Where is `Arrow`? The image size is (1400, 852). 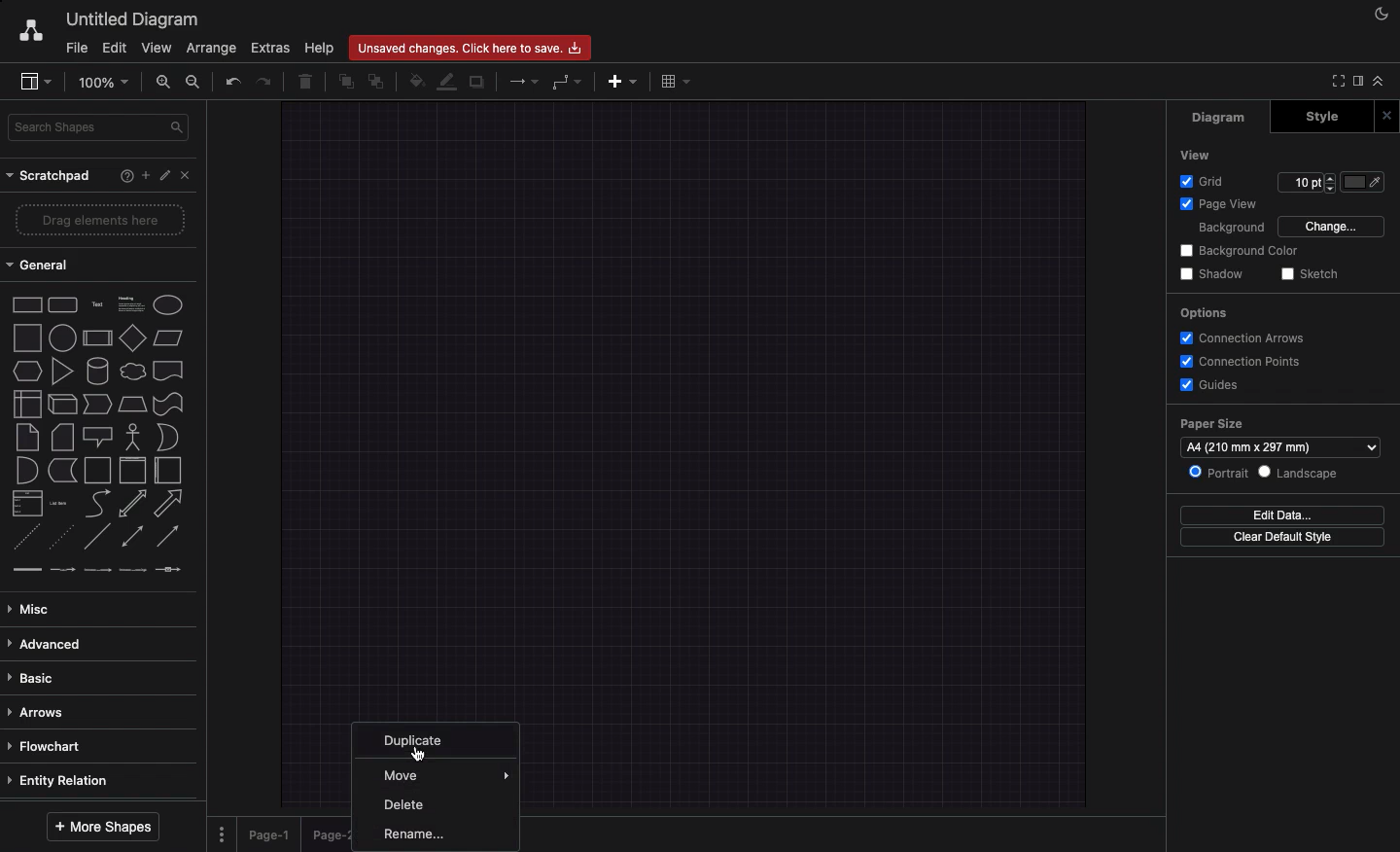 Arrow is located at coordinates (522, 81).